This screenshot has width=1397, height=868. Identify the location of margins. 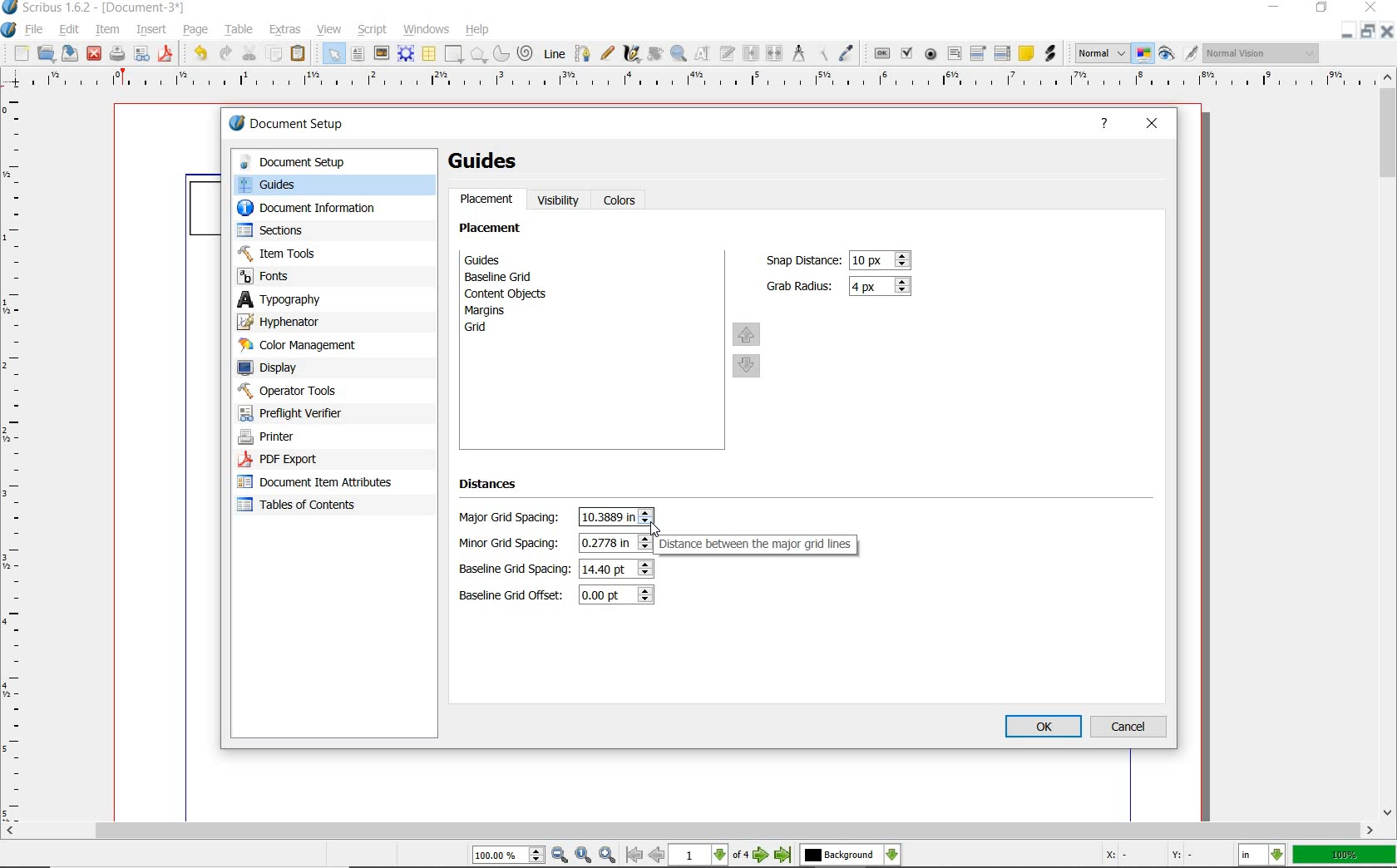
(494, 310).